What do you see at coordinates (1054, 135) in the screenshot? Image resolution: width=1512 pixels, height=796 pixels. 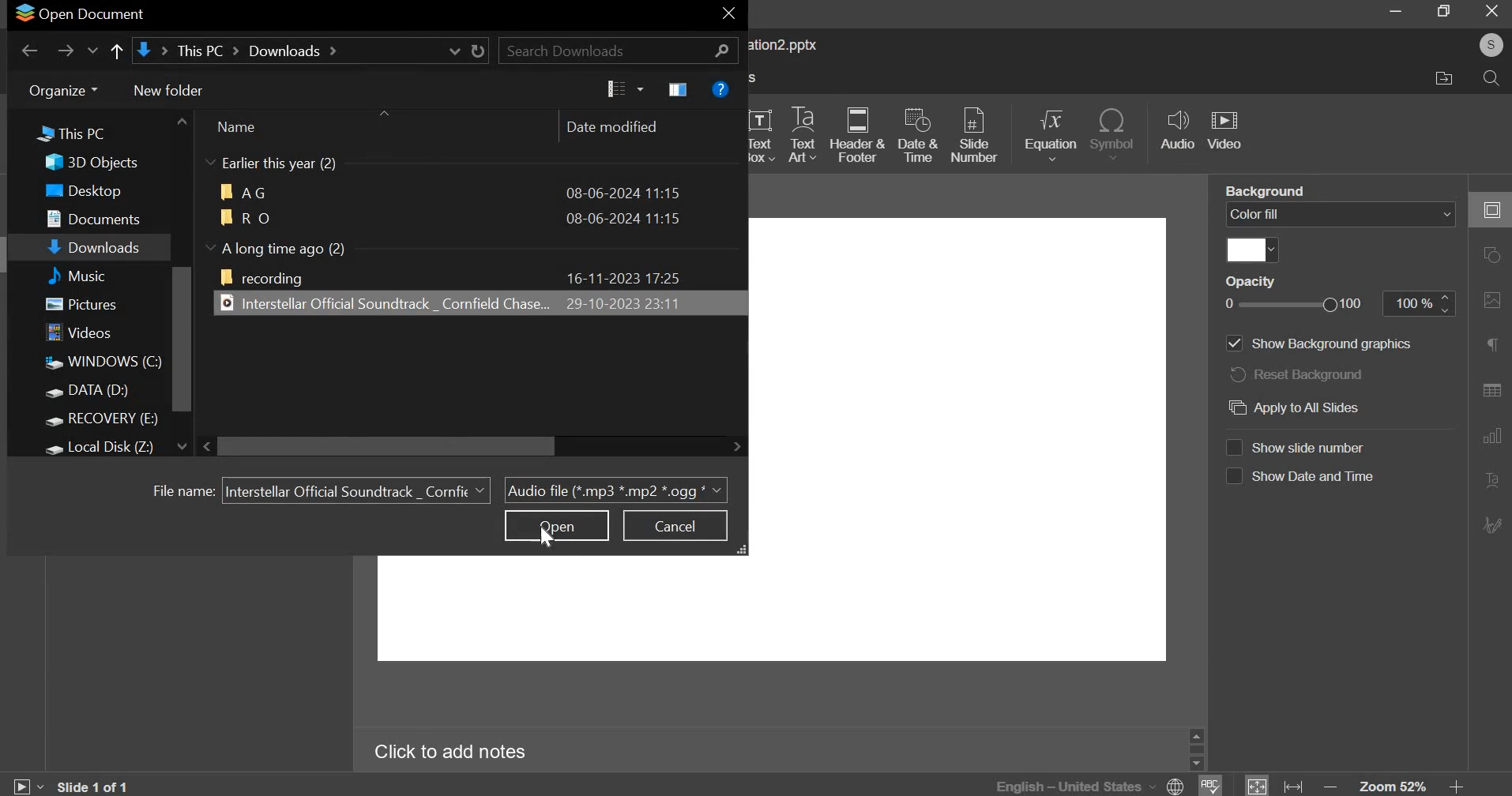 I see `insert equation` at bounding box center [1054, 135].